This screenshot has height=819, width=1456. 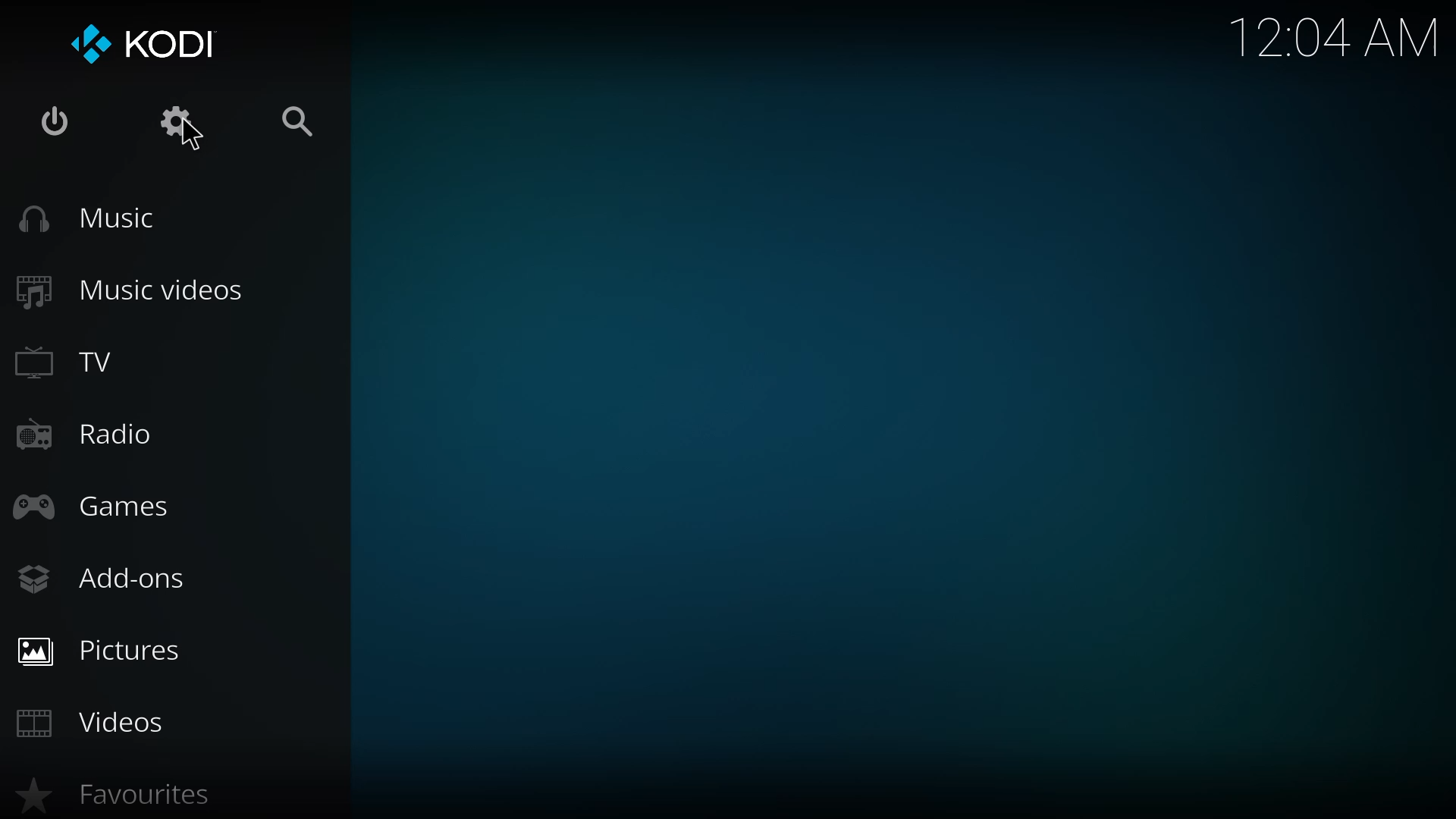 What do you see at coordinates (93, 221) in the screenshot?
I see `music` at bounding box center [93, 221].